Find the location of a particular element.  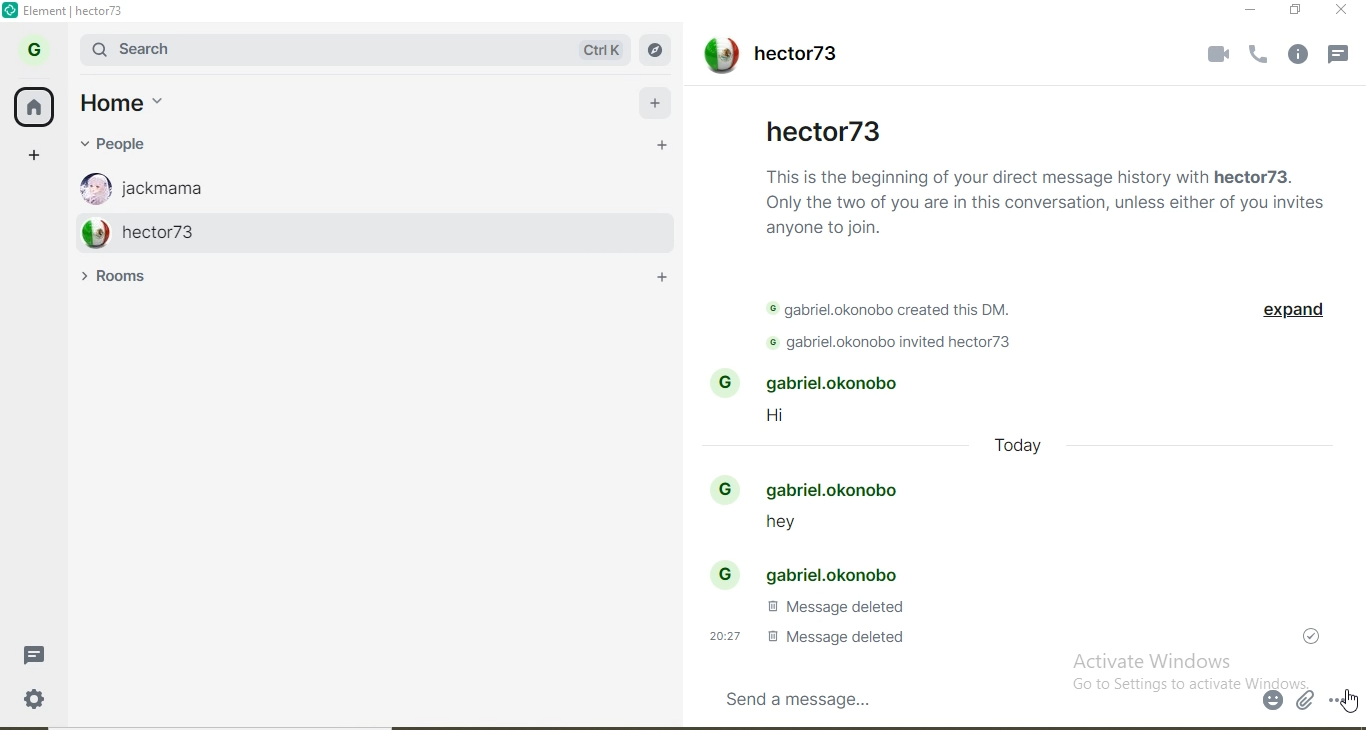

add is located at coordinates (657, 99).